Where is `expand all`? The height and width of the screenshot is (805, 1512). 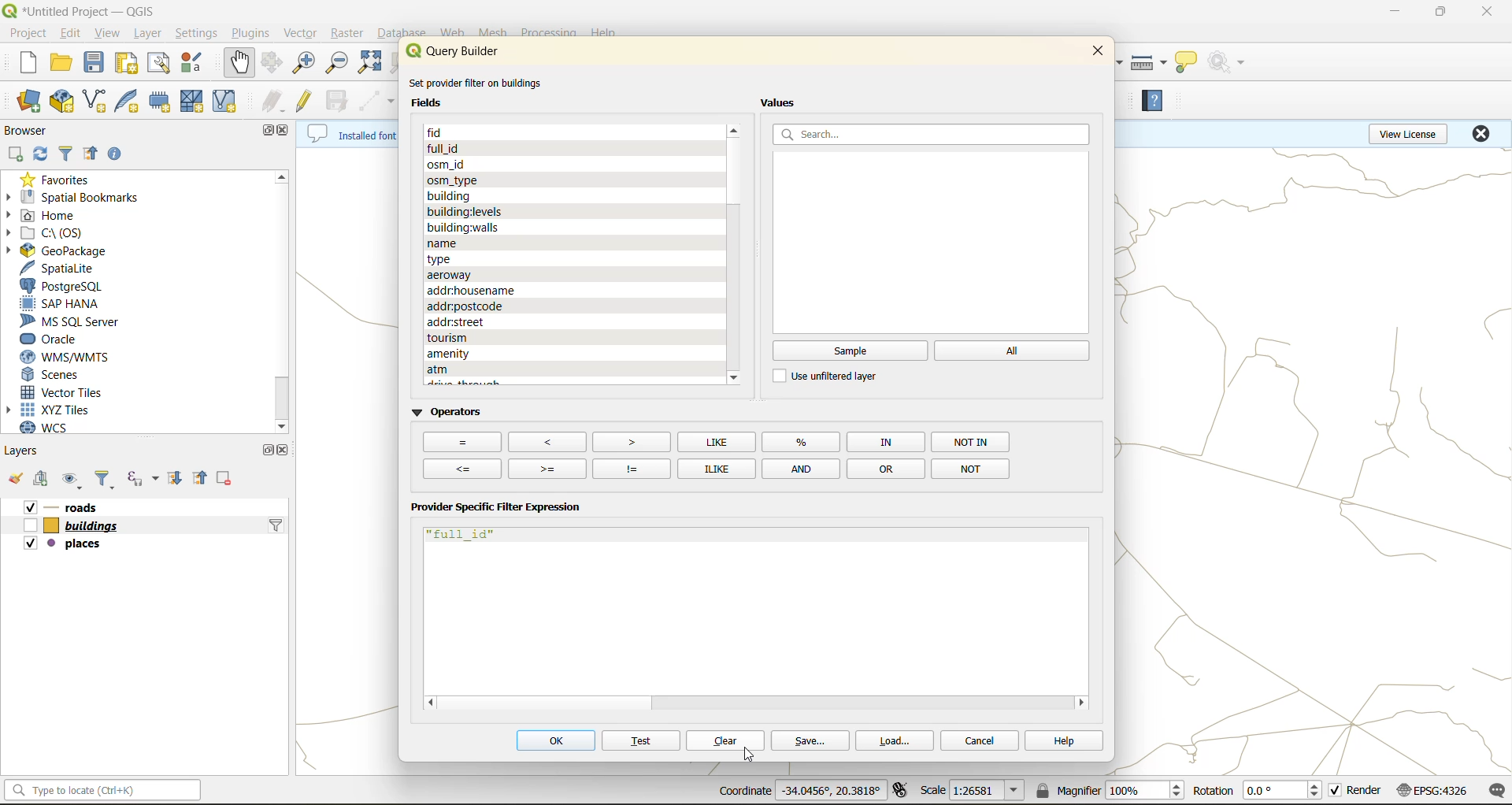
expand all is located at coordinates (177, 477).